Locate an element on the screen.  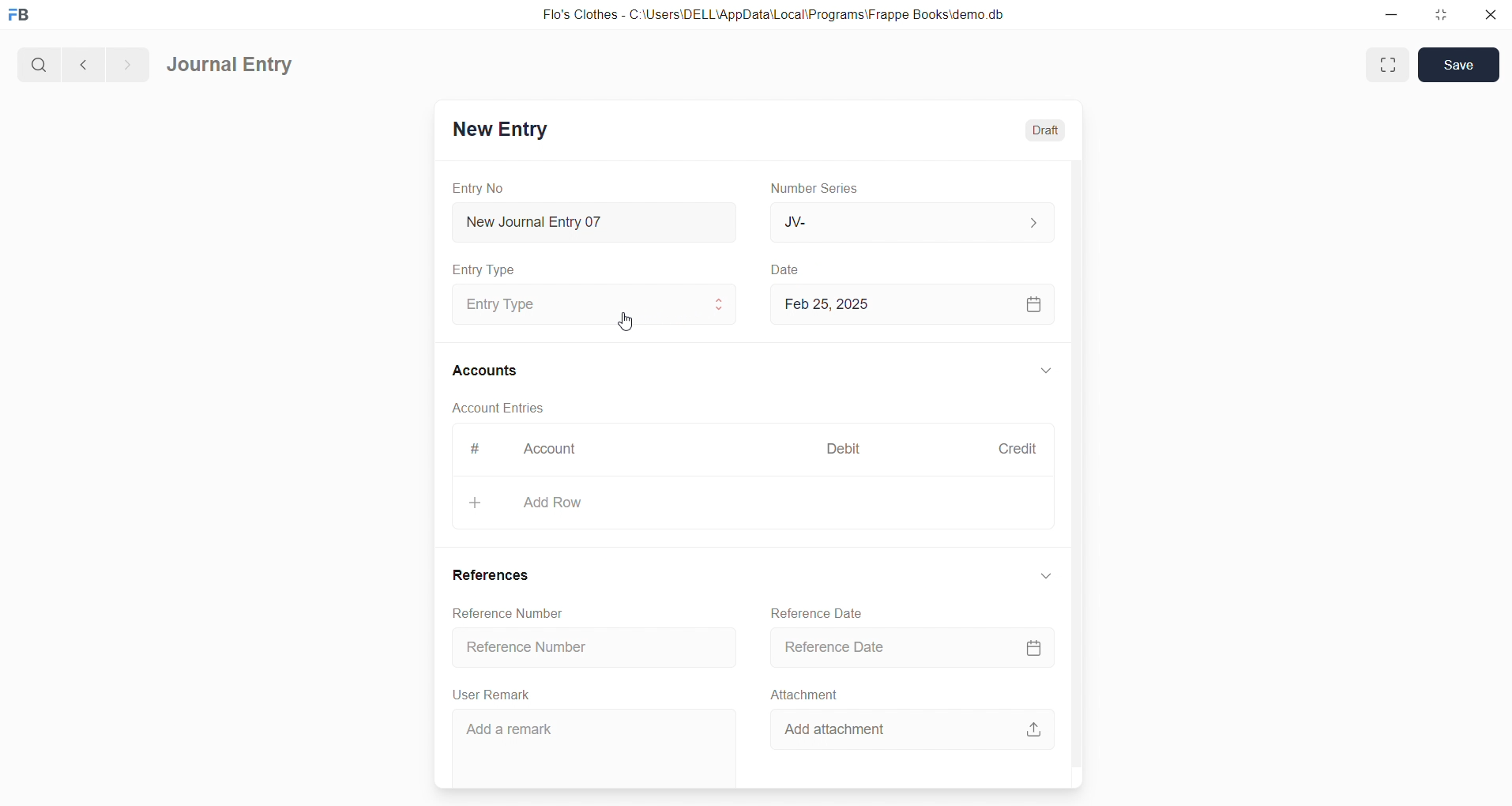
Journal Entry is located at coordinates (231, 66).